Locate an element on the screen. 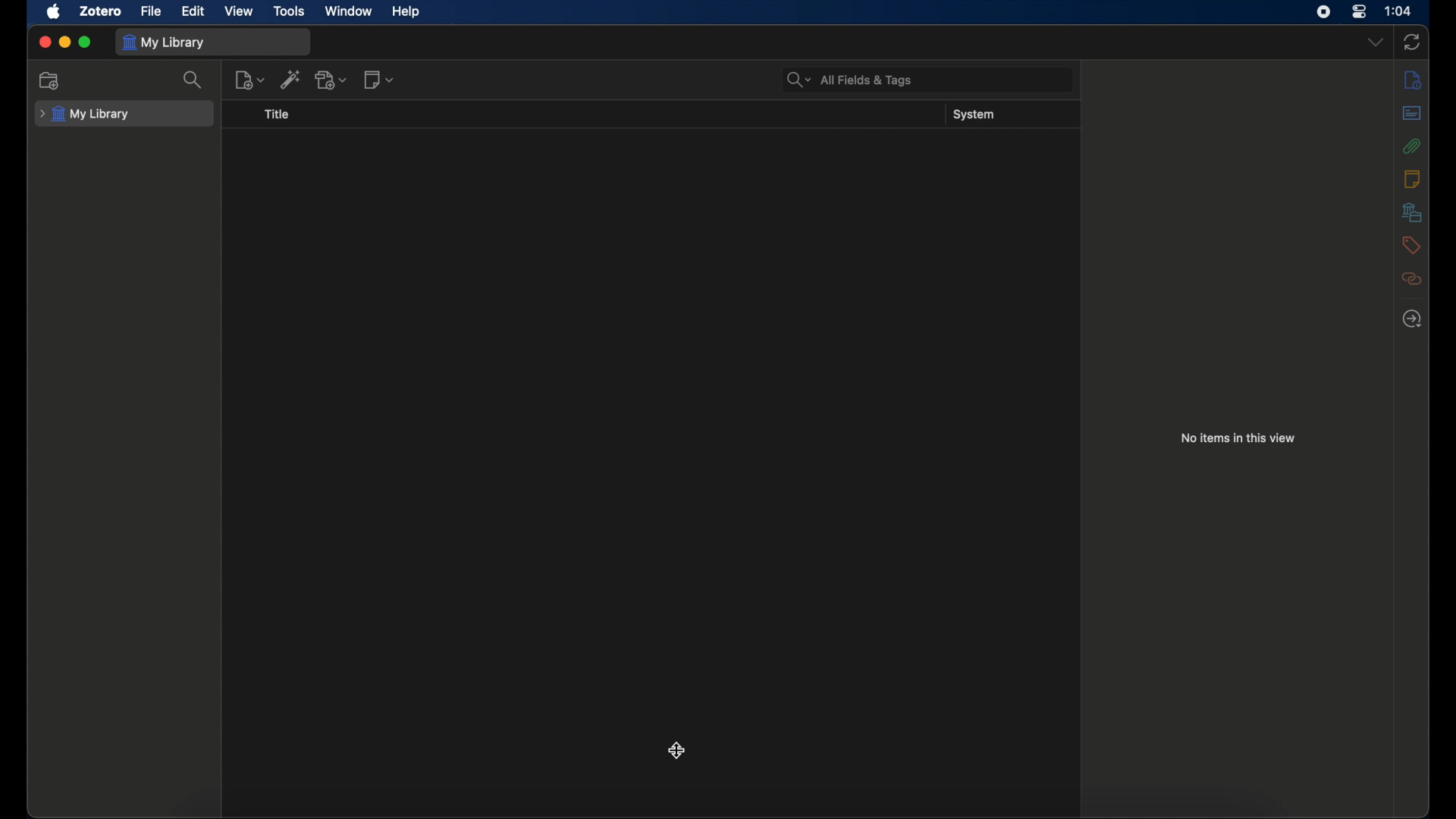 The height and width of the screenshot is (819, 1456). locate is located at coordinates (1412, 318).